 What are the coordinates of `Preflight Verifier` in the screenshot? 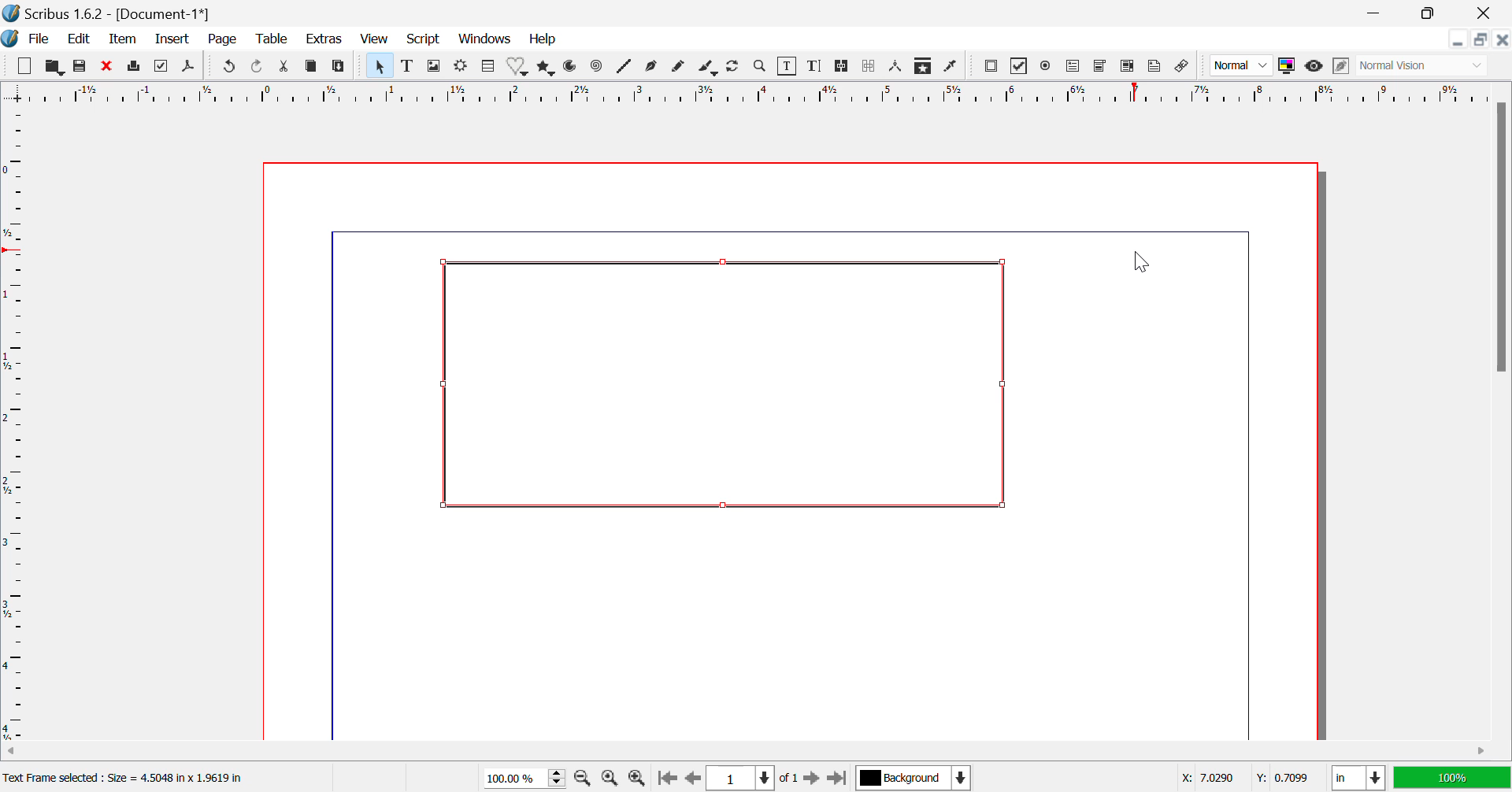 It's located at (161, 68).